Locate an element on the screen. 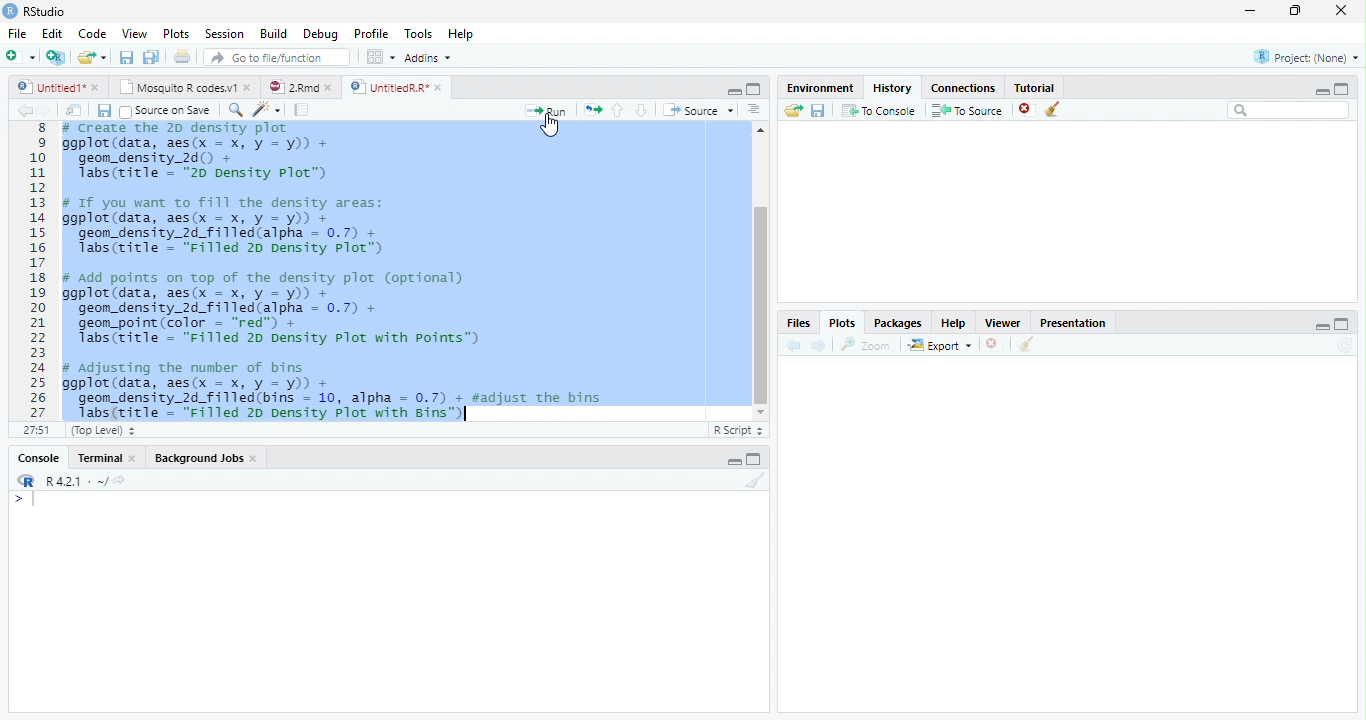  next is located at coordinates (821, 346).